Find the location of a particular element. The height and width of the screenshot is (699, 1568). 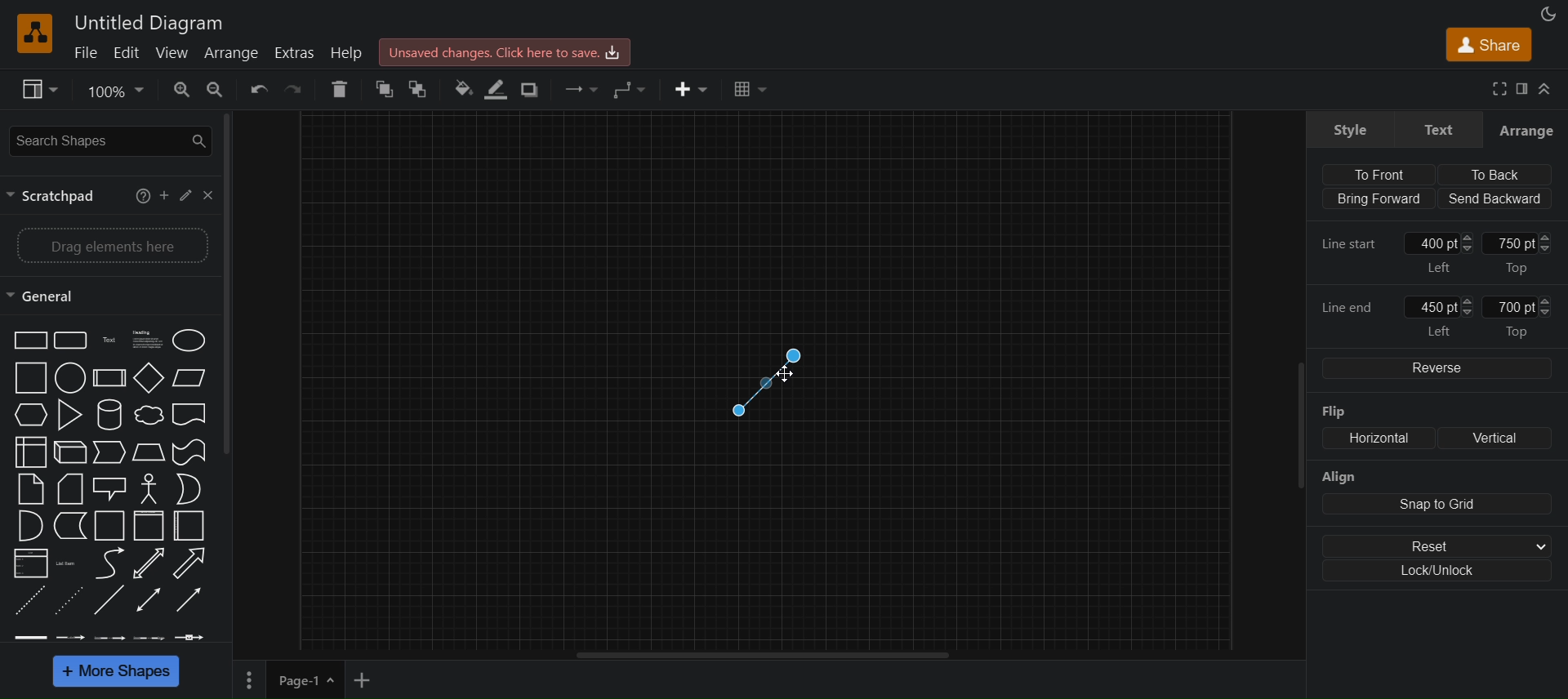

horizontal scroll bar is located at coordinates (771, 655).